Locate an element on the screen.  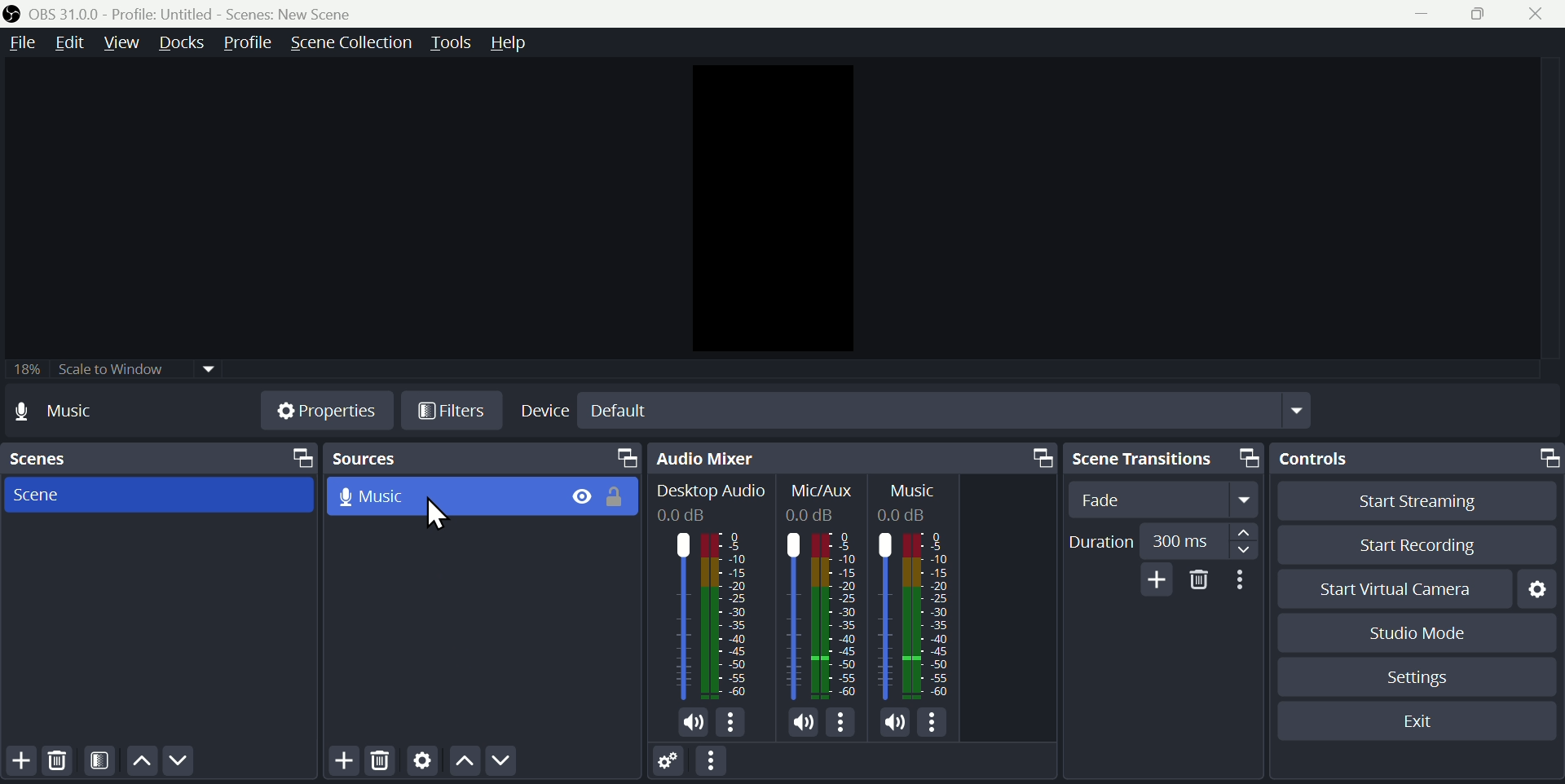
Scene is located at coordinates (46, 496).